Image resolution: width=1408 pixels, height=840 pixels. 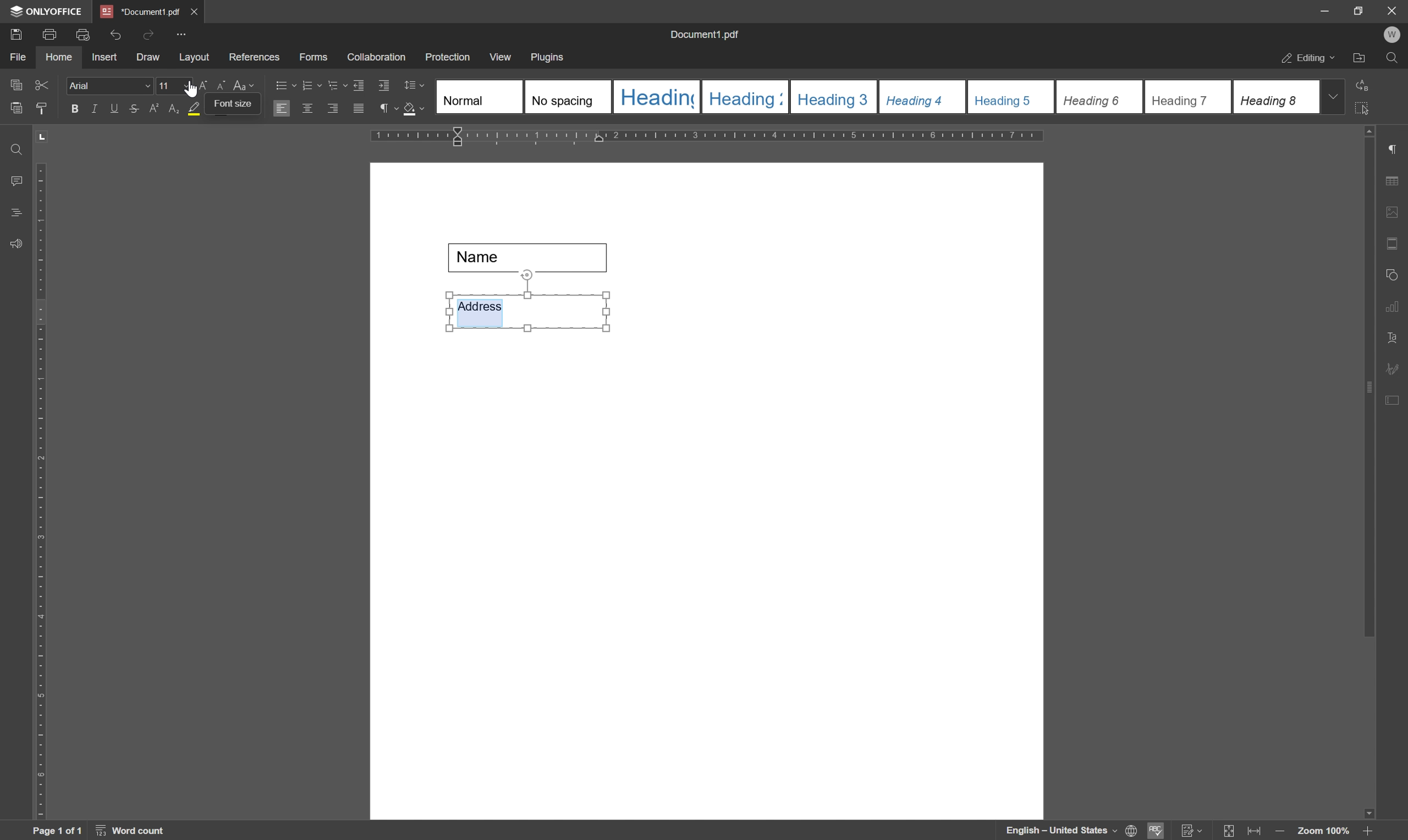 I want to click on superscript, so click(x=154, y=109).